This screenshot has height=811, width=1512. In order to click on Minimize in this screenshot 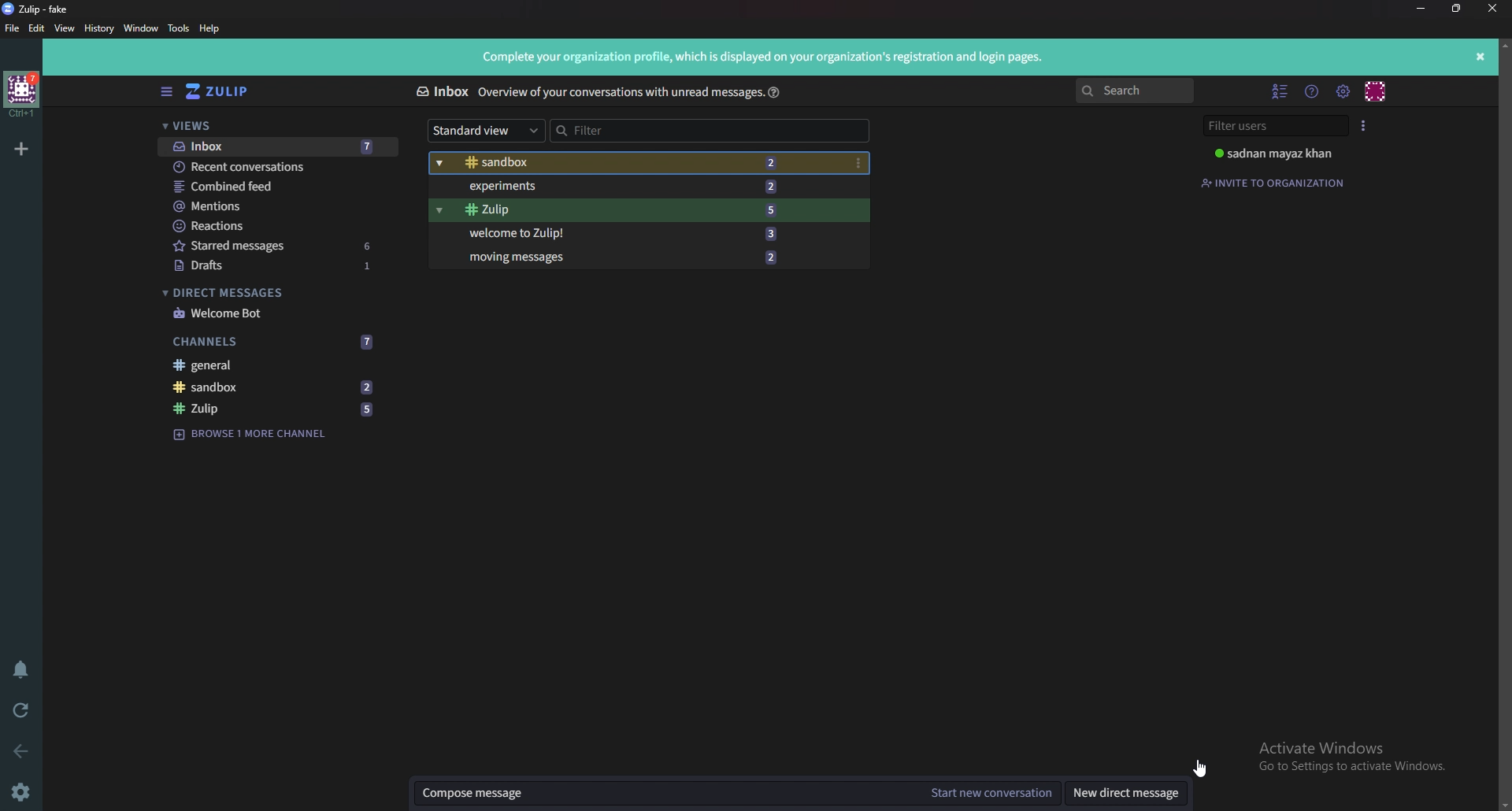, I will do `click(1422, 9)`.